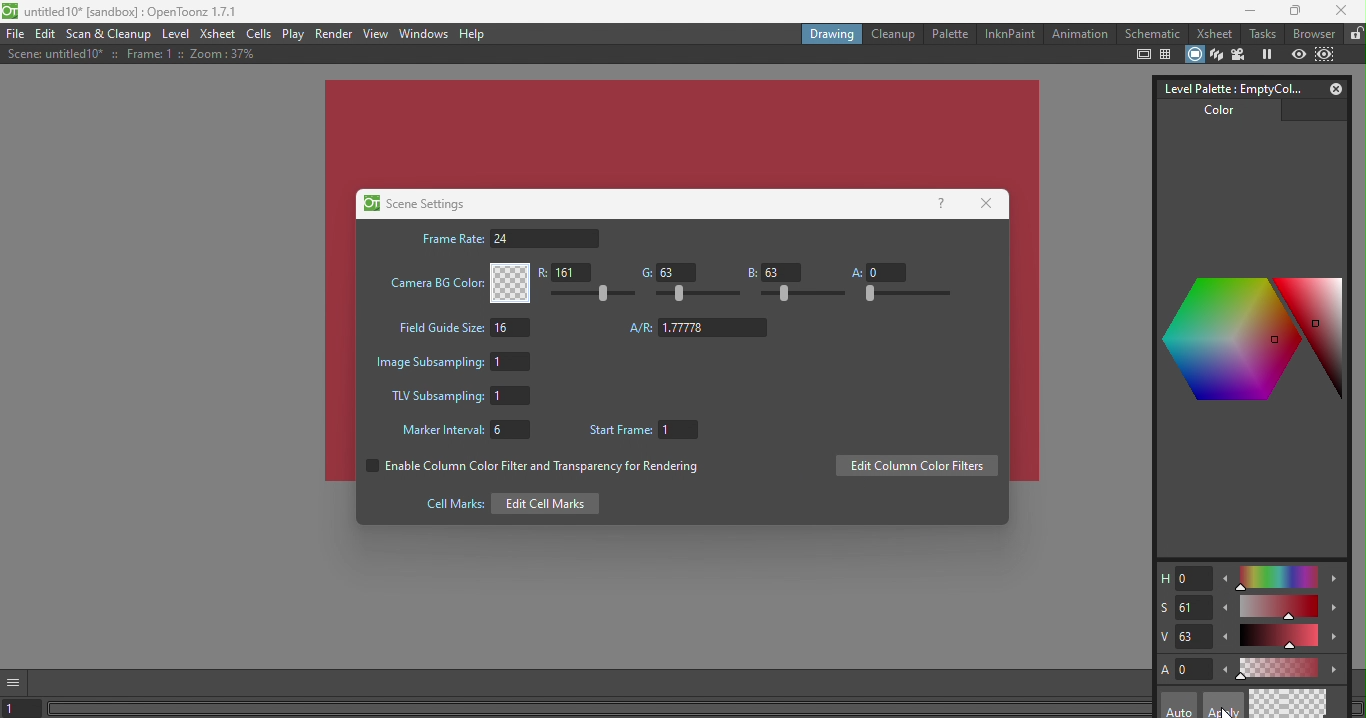 Image resolution: width=1366 pixels, height=718 pixels. I want to click on Increase, so click(1336, 640).